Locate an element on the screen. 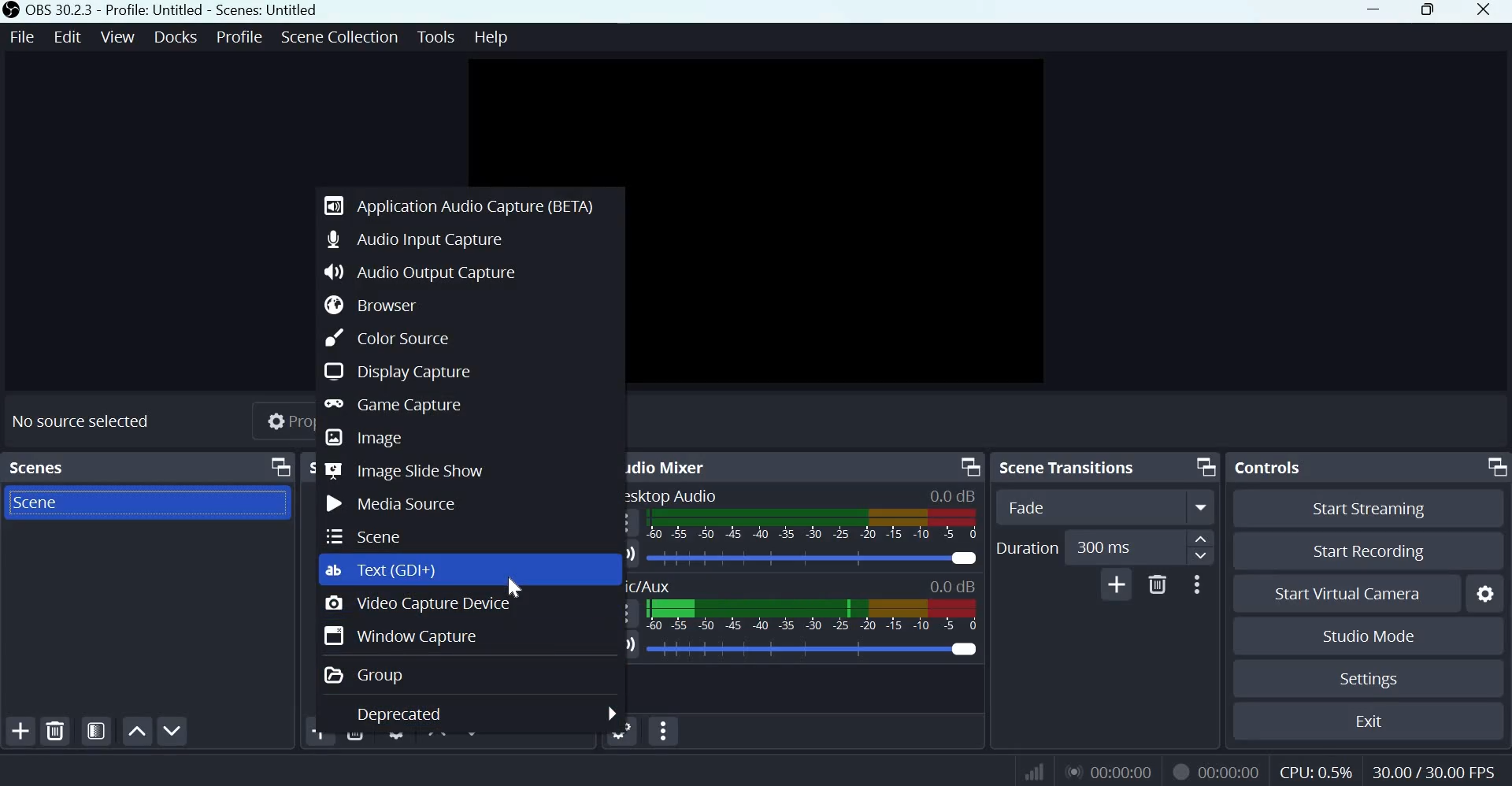 The width and height of the screenshot is (1512, 786). window capture is located at coordinates (404, 636).